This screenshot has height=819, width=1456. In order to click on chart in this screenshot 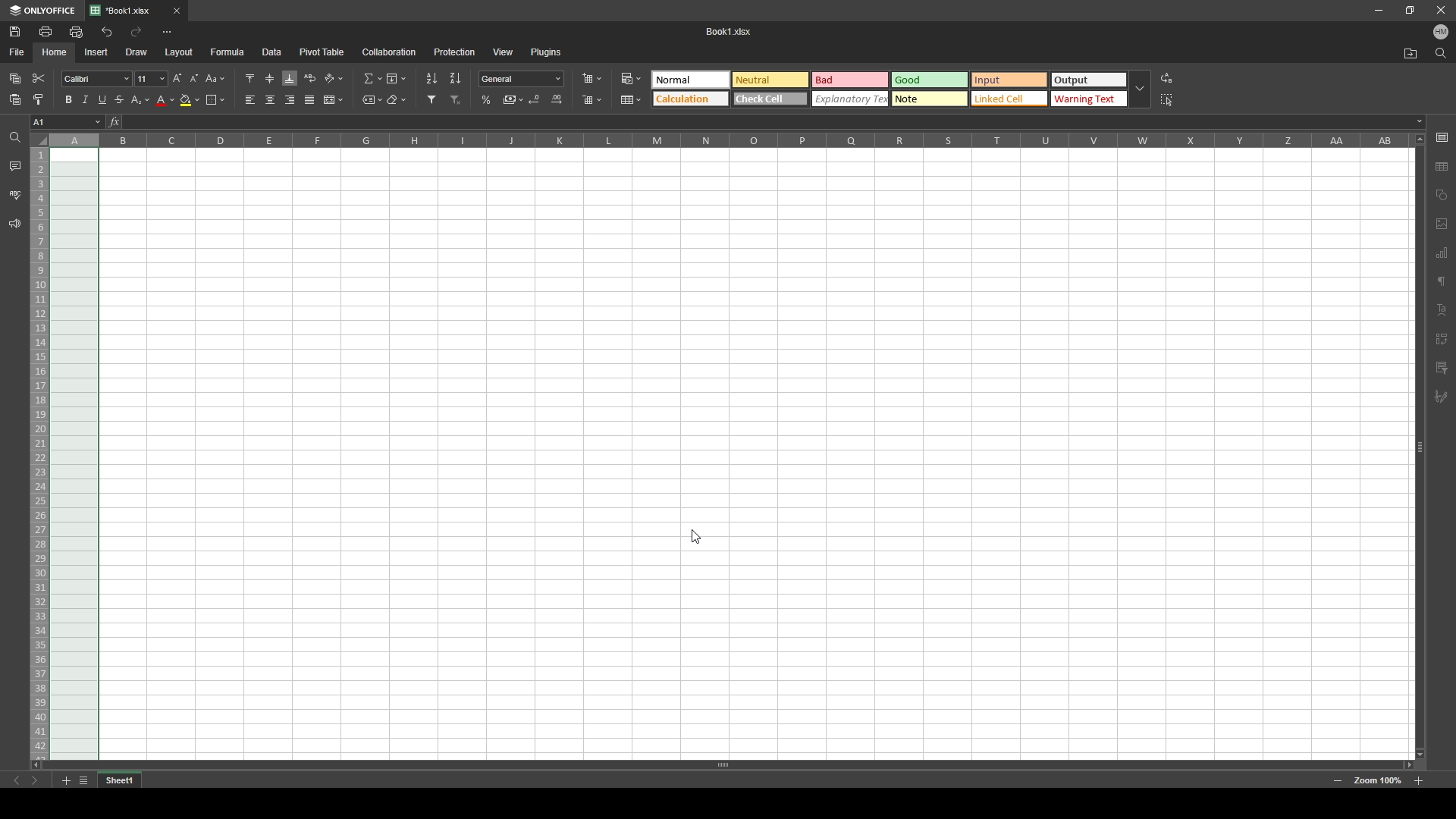, I will do `click(1442, 252)`.